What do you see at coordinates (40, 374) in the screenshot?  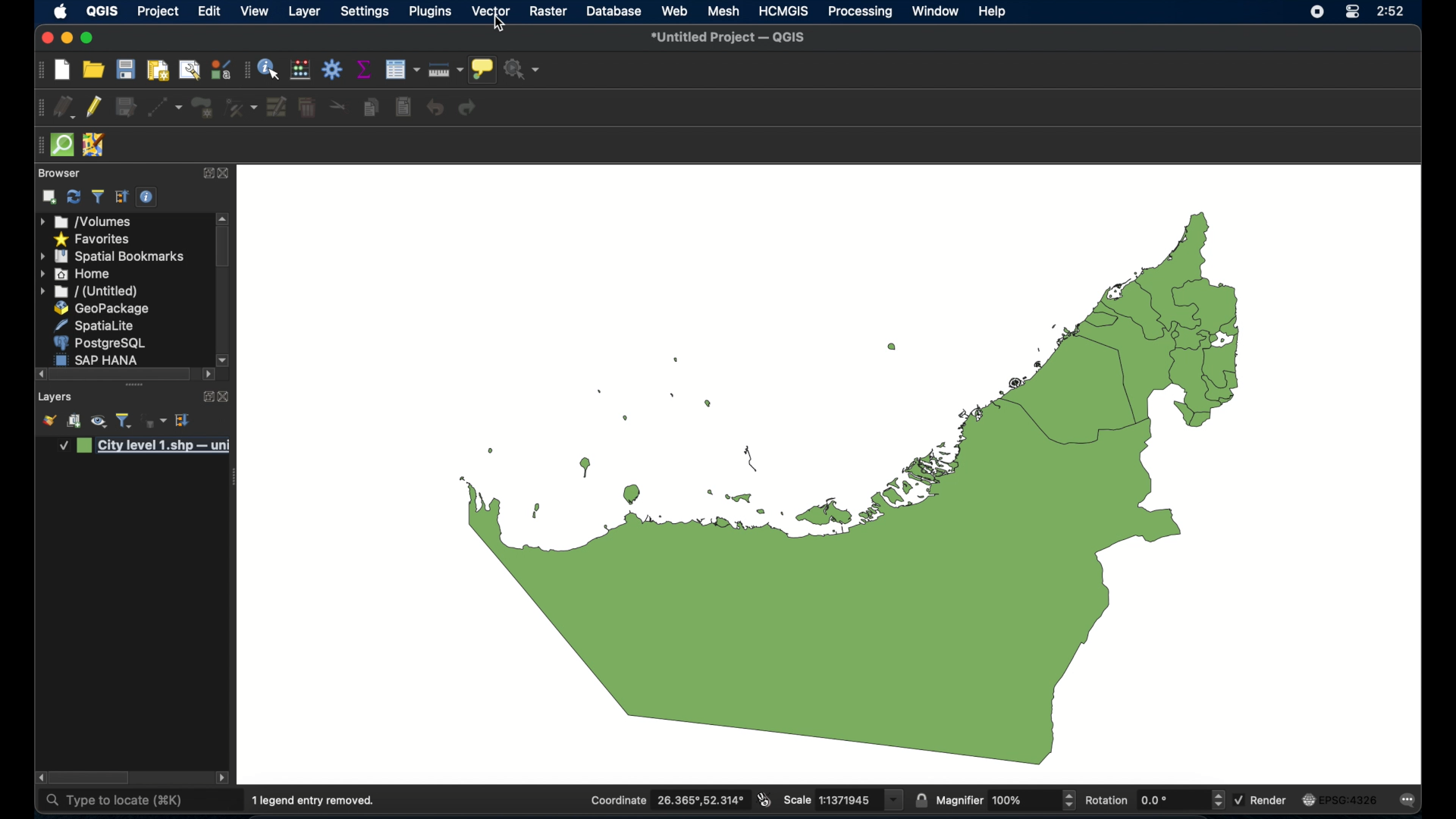 I see `scroll right arrow` at bounding box center [40, 374].